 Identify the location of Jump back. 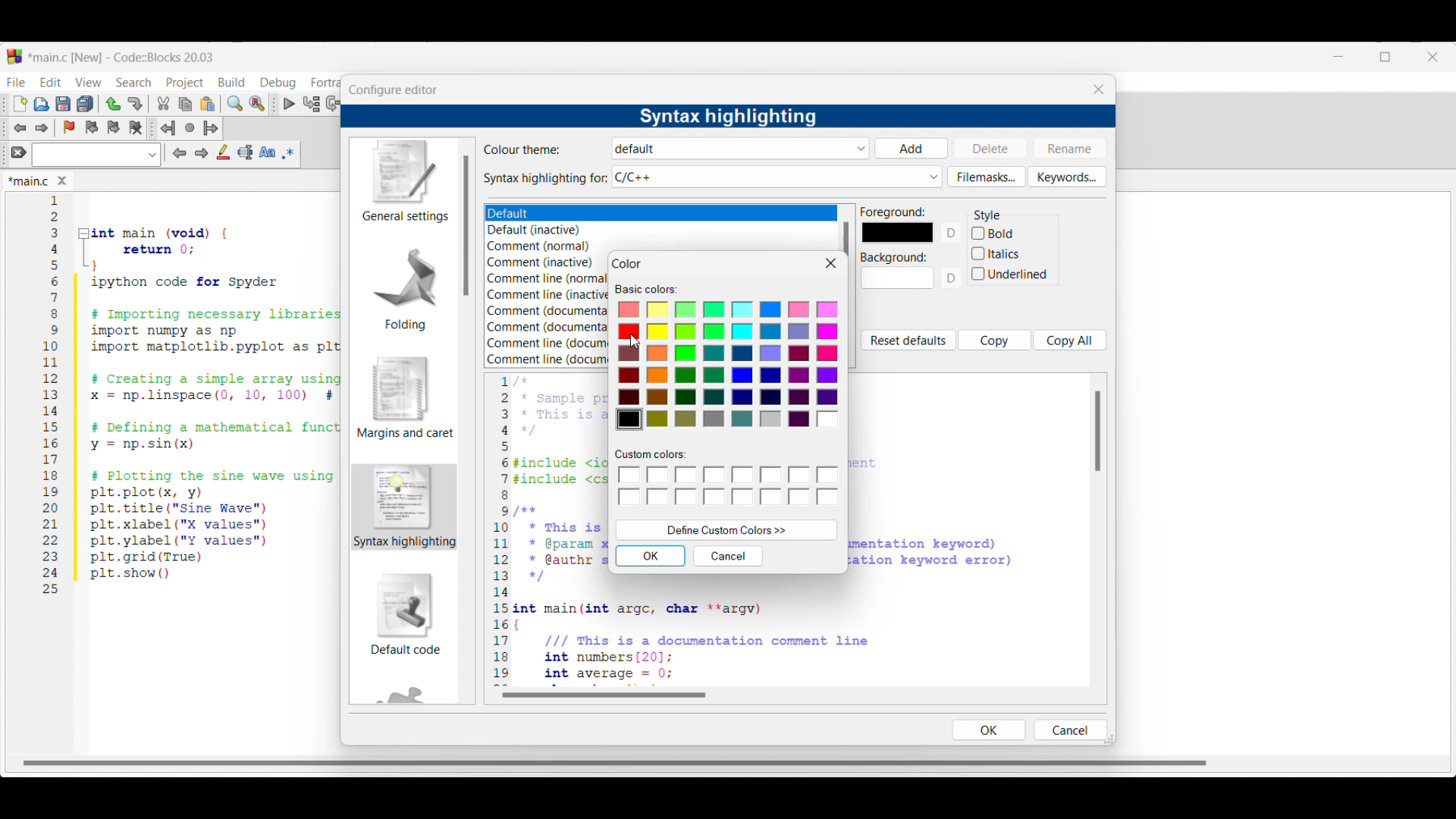
(168, 128).